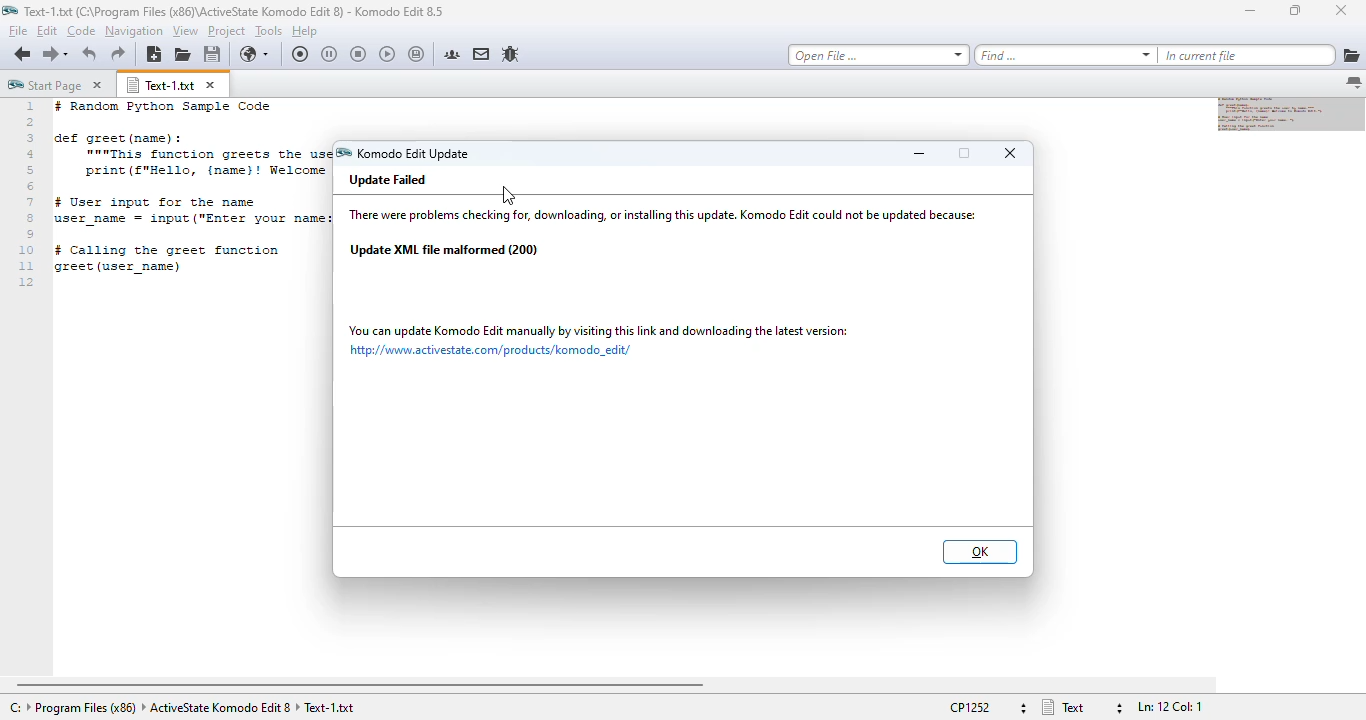 The height and width of the screenshot is (720, 1366). What do you see at coordinates (17, 30) in the screenshot?
I see `file` at bounding box center [17, 30].